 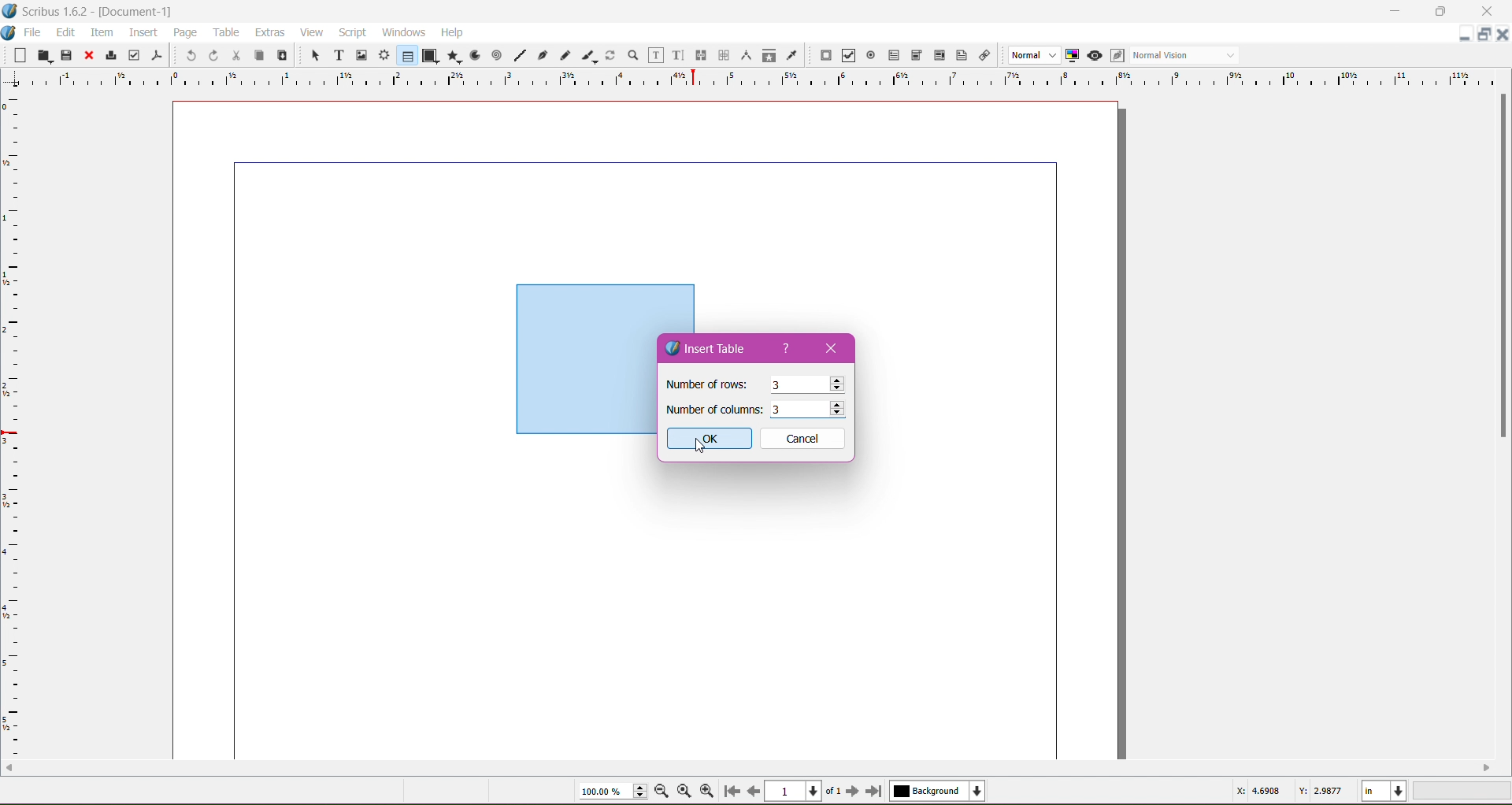 What do you see at coordinates (744, 56) in the screenshot?
I see `Measurements` at bounding box center [744, 56].